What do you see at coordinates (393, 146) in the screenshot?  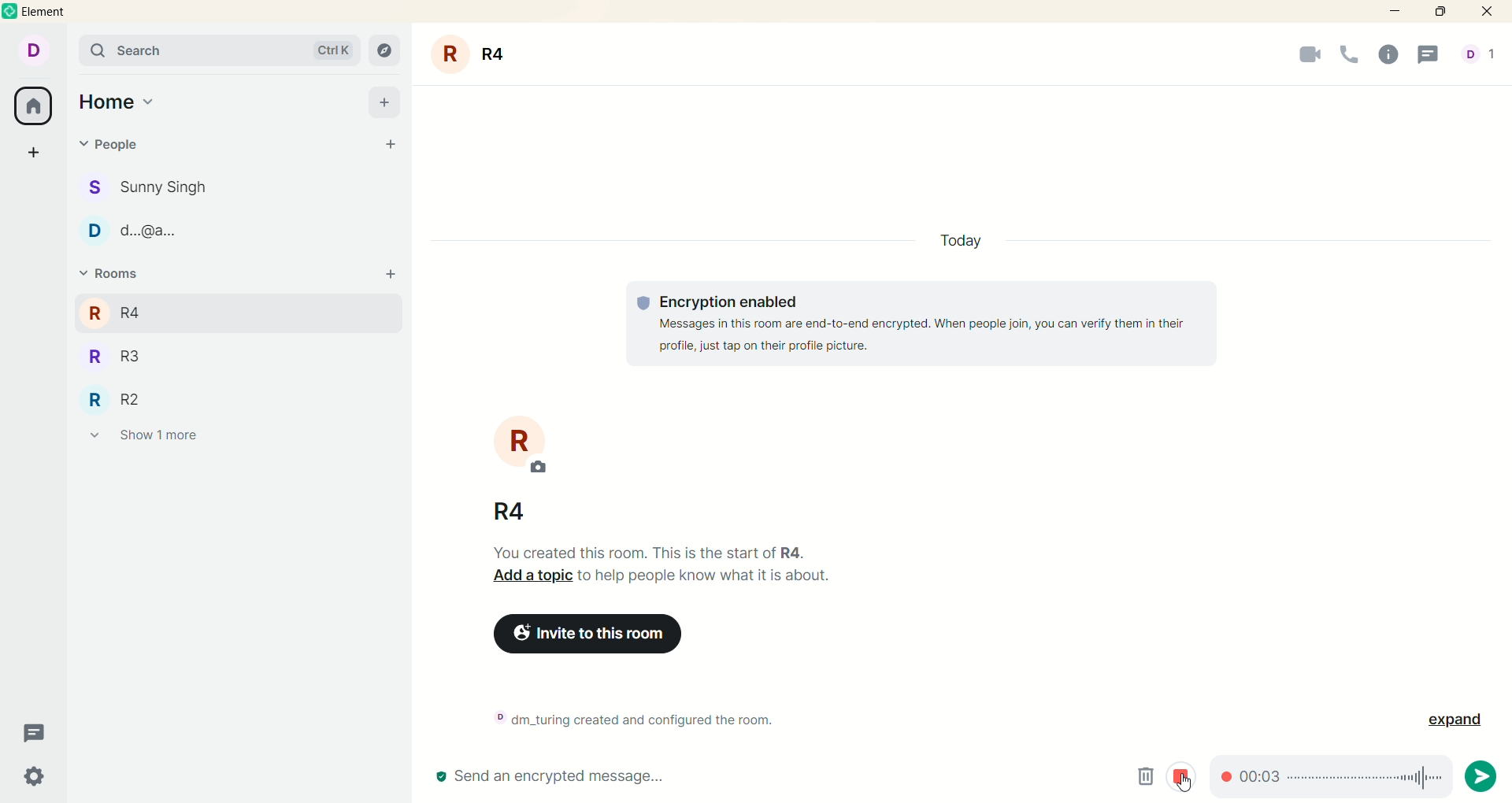 I see `start chat` at bounding box center [393, 146].